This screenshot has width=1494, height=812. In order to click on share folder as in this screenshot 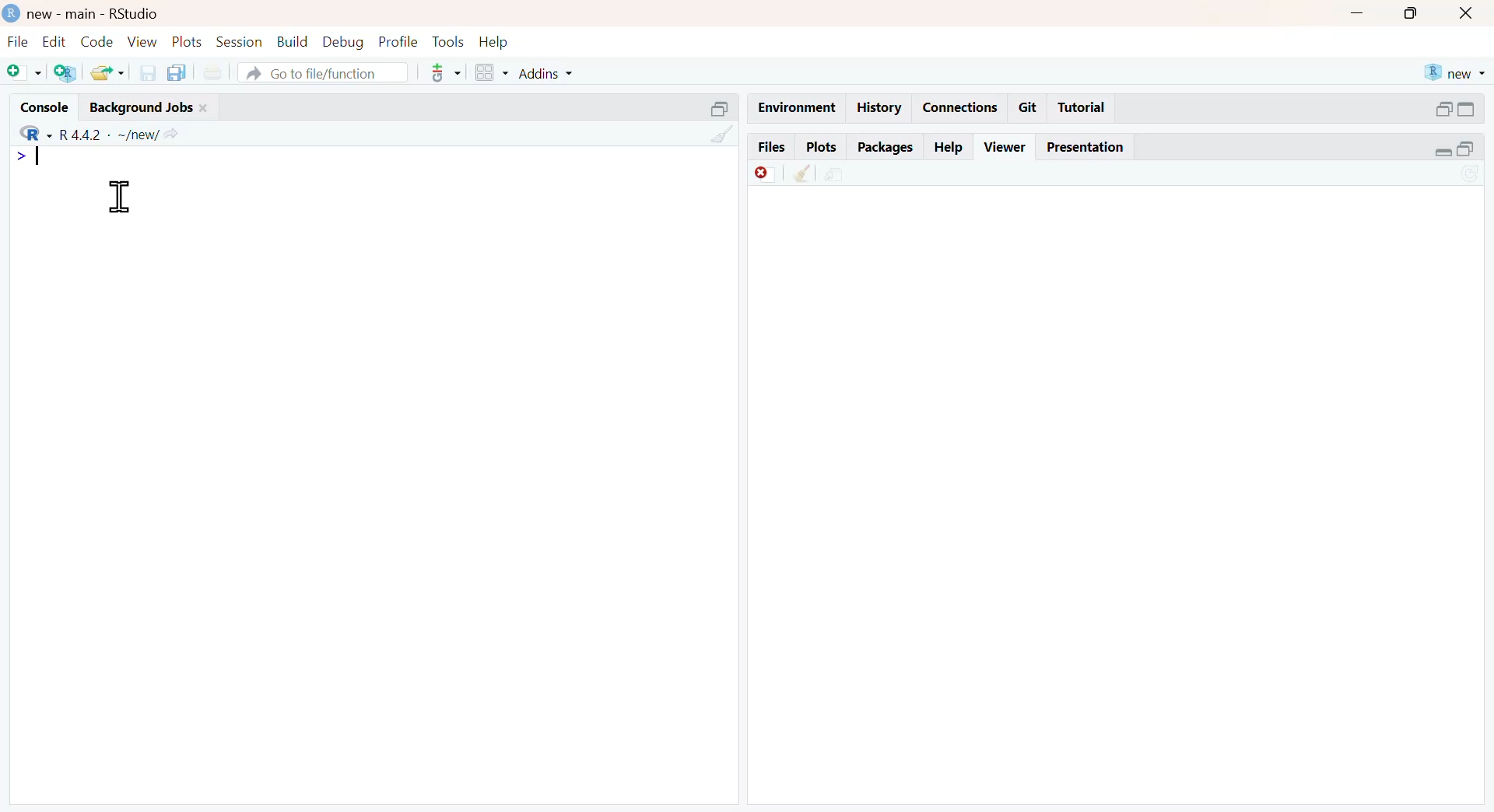, I will do `click(109, 72)`.